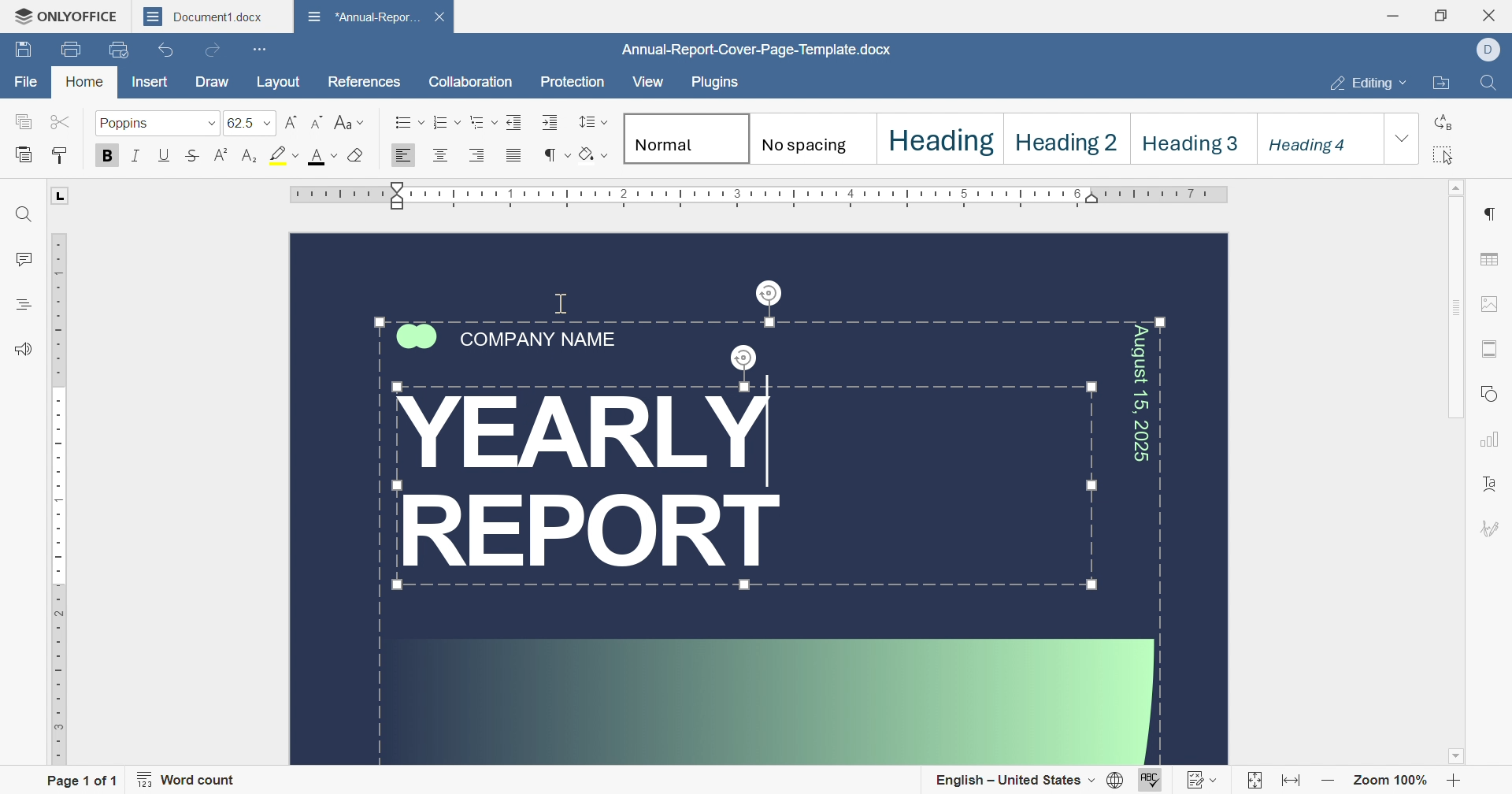 This screenshot has height=794, width=1512. Describe the element at coordinates (69, 47) in the screenshot. I see `print` at that location.